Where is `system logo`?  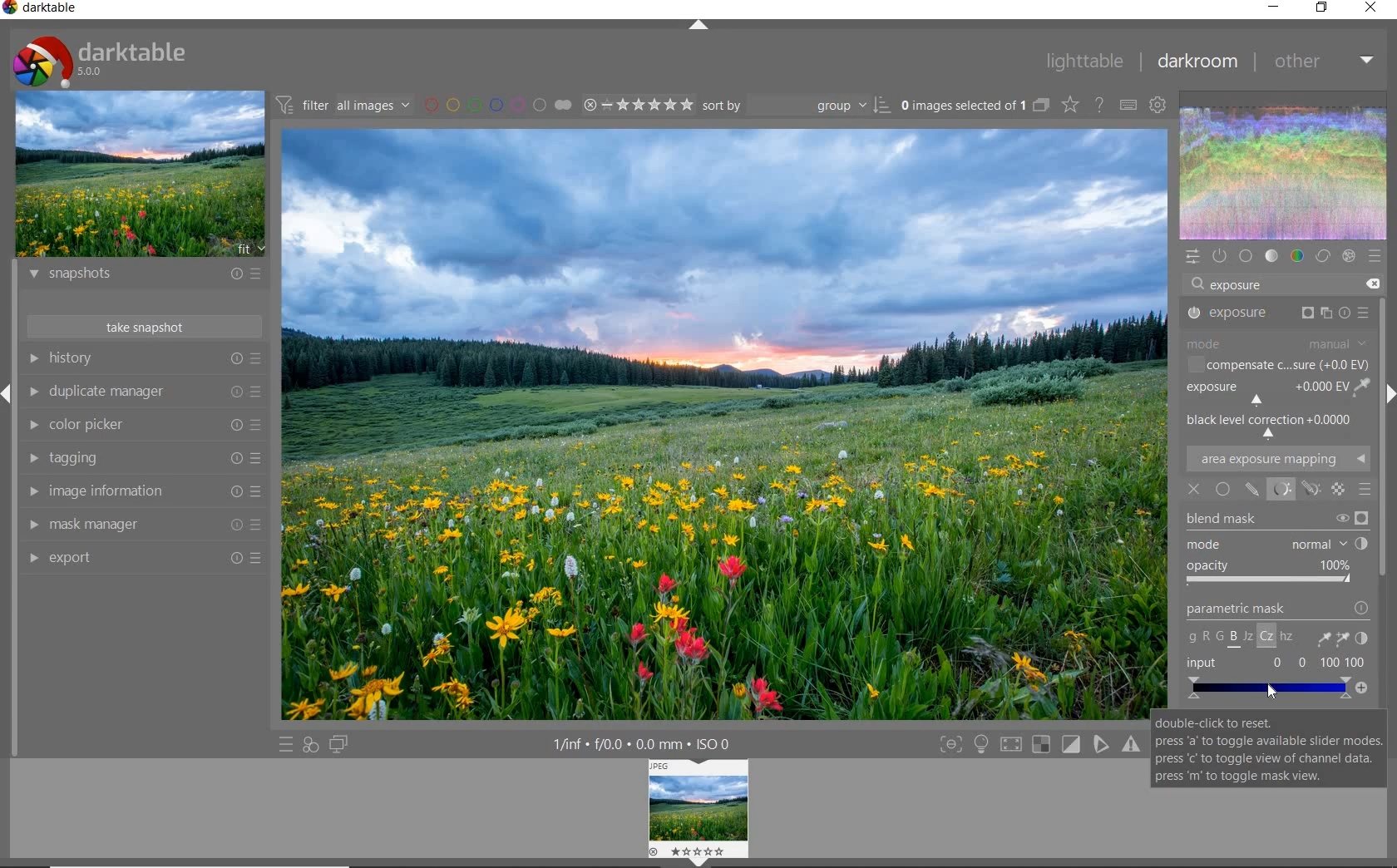 system logo is located at coordinates (101, 60).